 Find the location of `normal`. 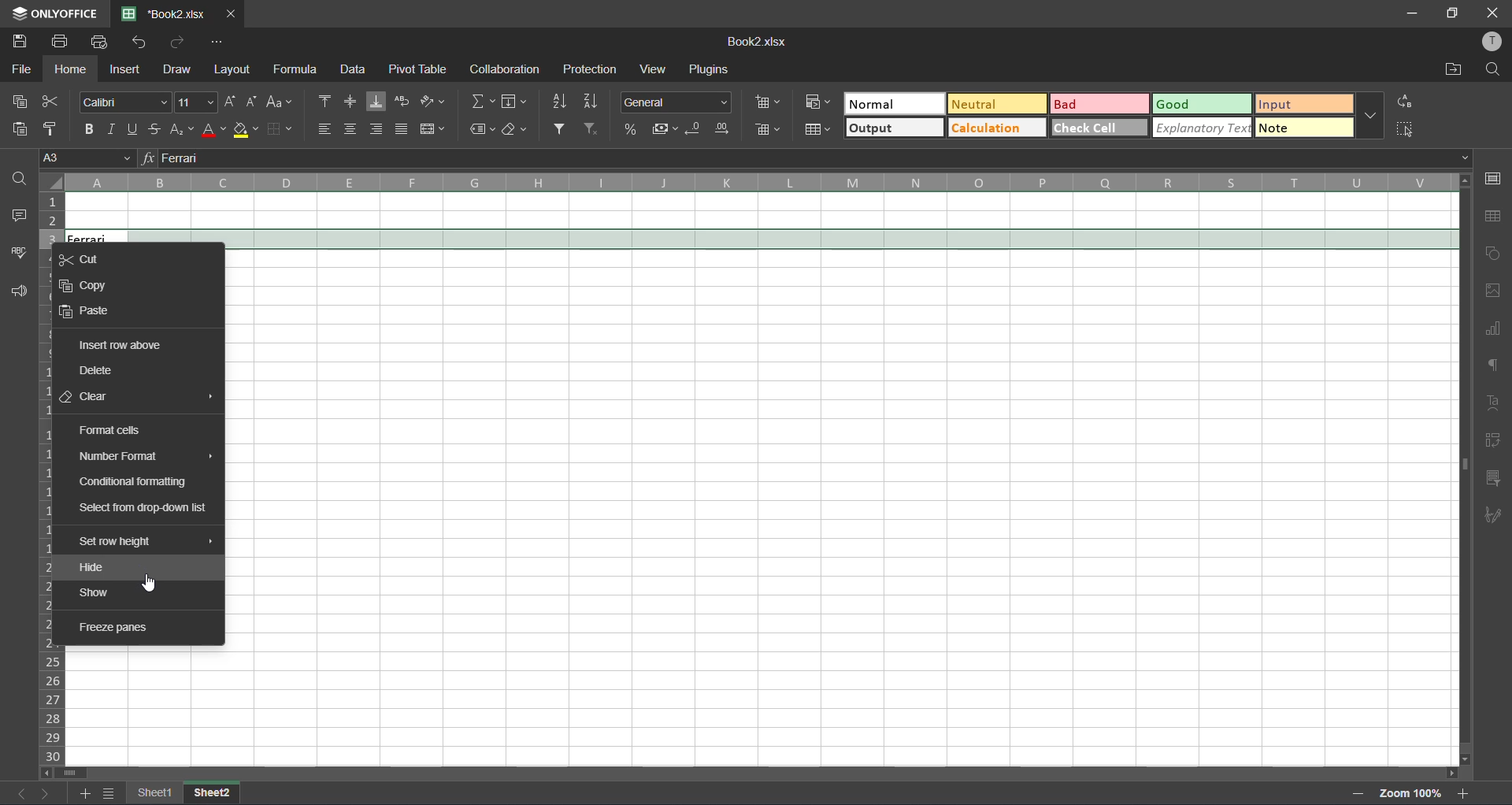

normal is located at coordinates (892, 105).